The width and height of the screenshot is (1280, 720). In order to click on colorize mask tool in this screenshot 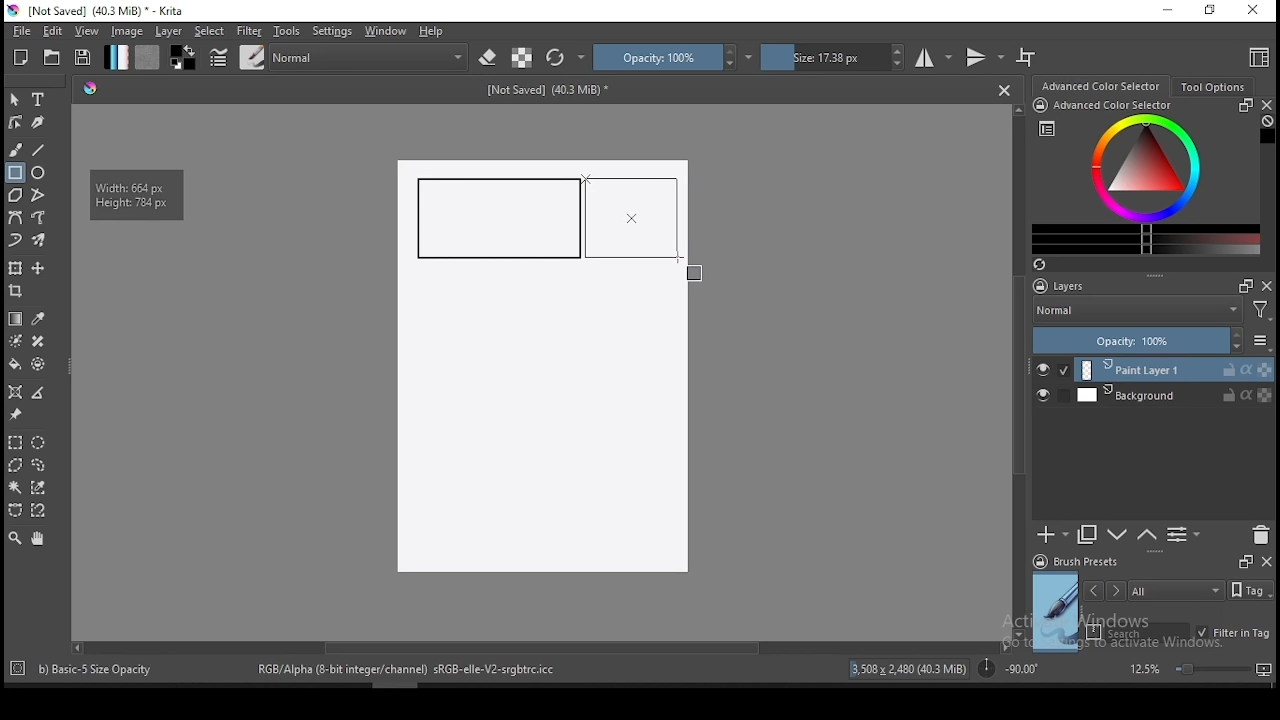, I will do `click(17, 341)`.